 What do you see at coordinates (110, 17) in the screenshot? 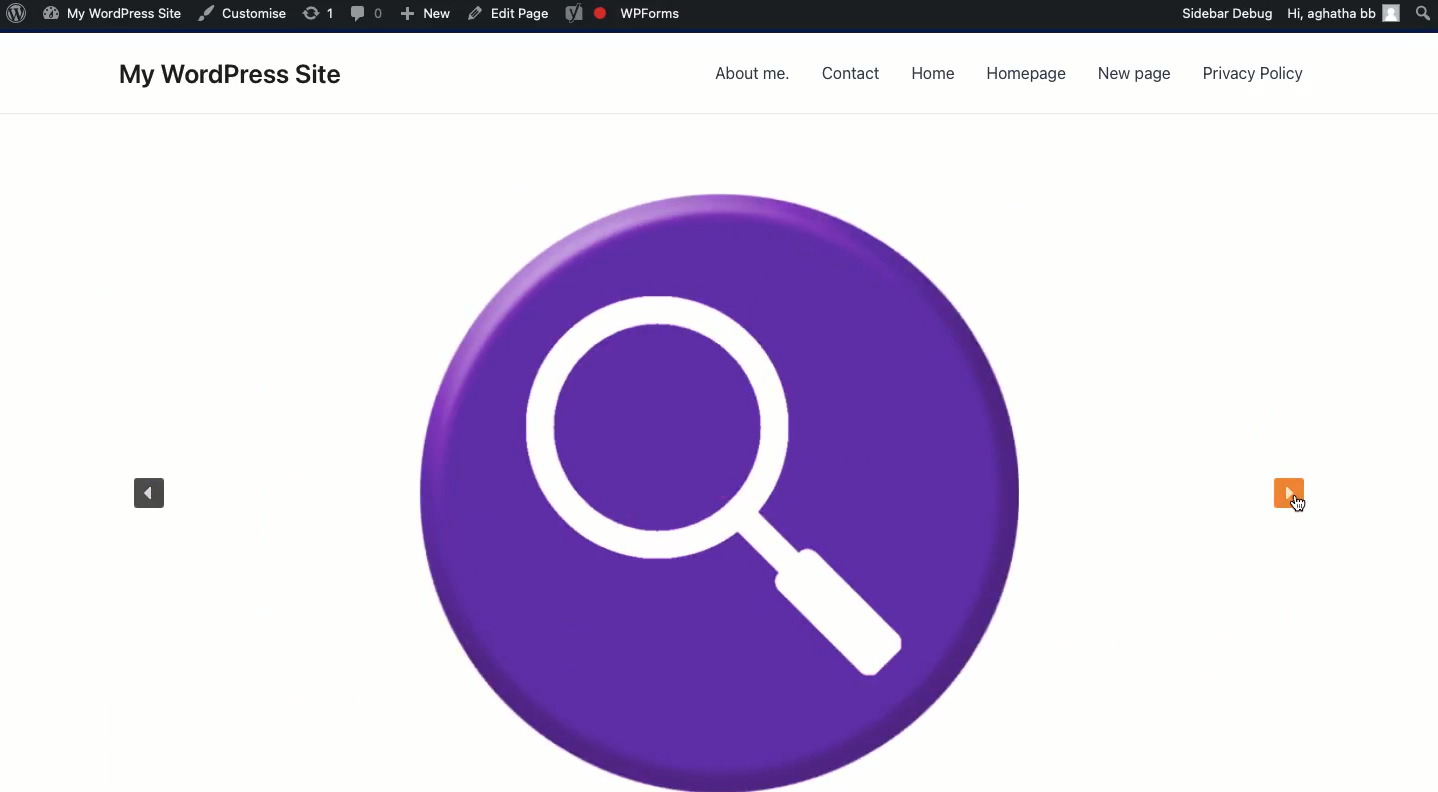
I see `my wordpress site` at bounding box center [110, 17].